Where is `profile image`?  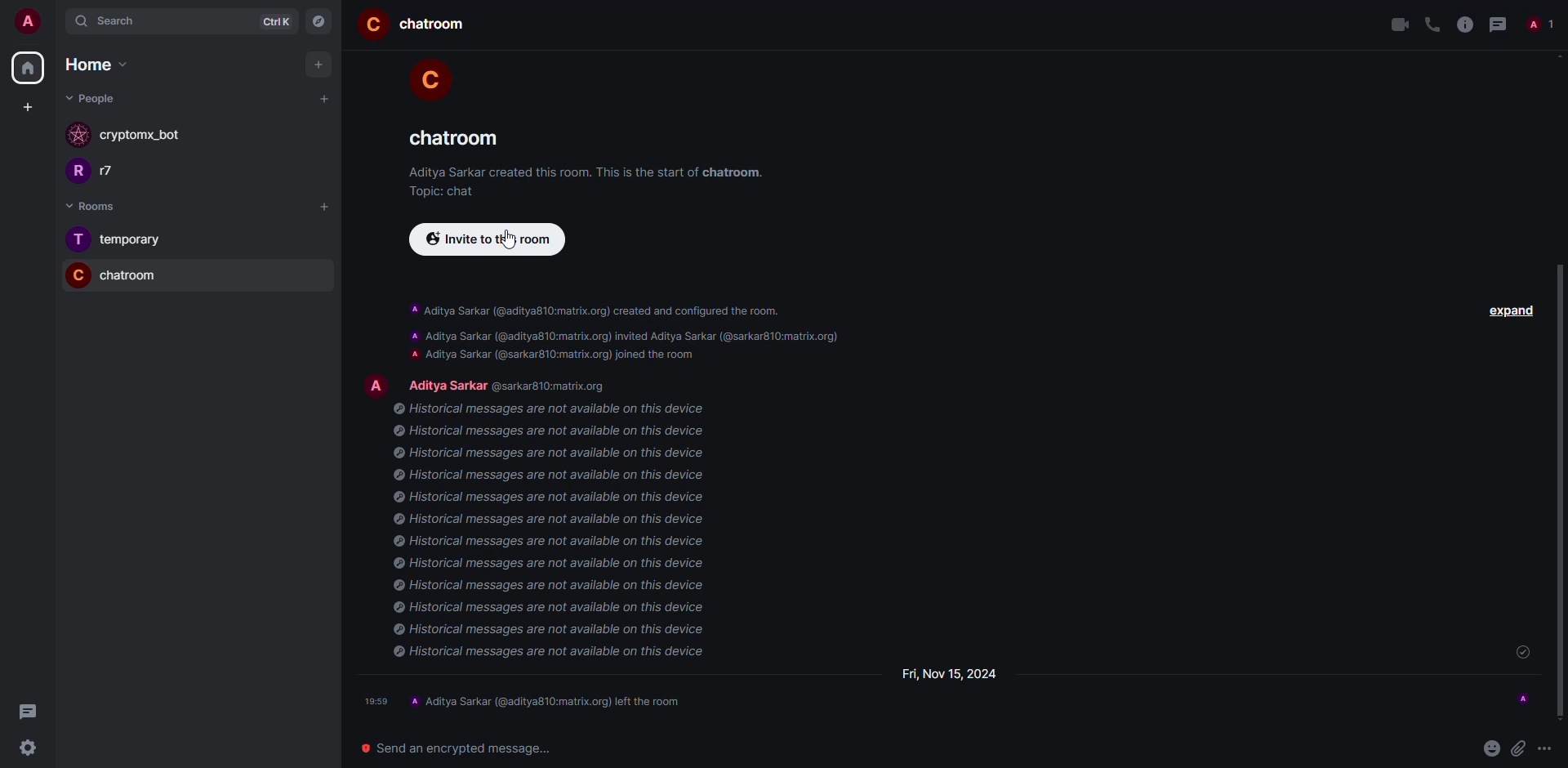 profile image is located at coordinates (79, 136).